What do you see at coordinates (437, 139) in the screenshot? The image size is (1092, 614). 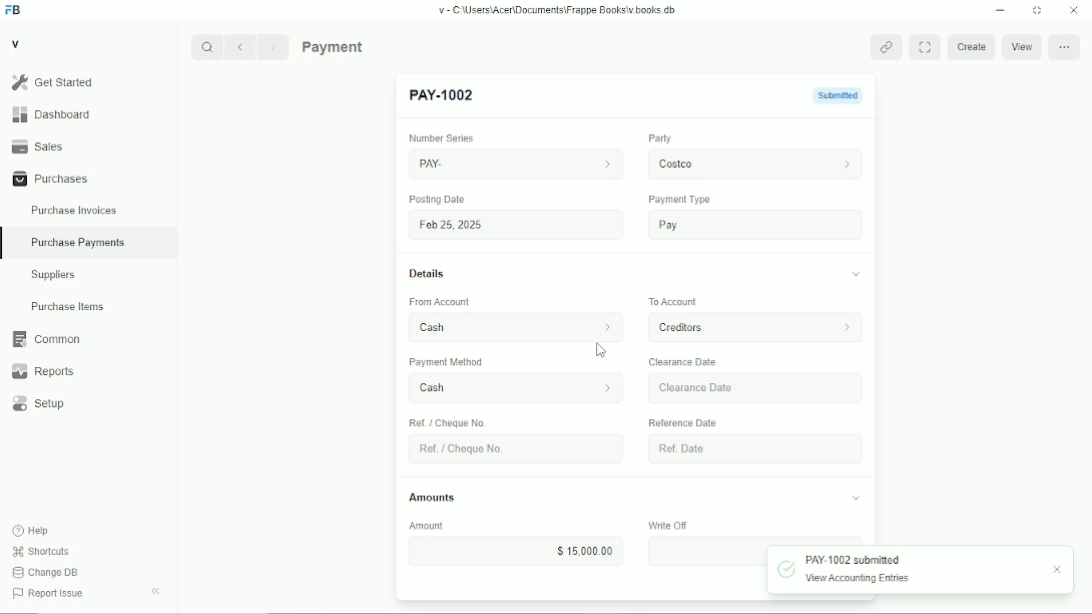 I see `number series` at bounding box center [437, 139].